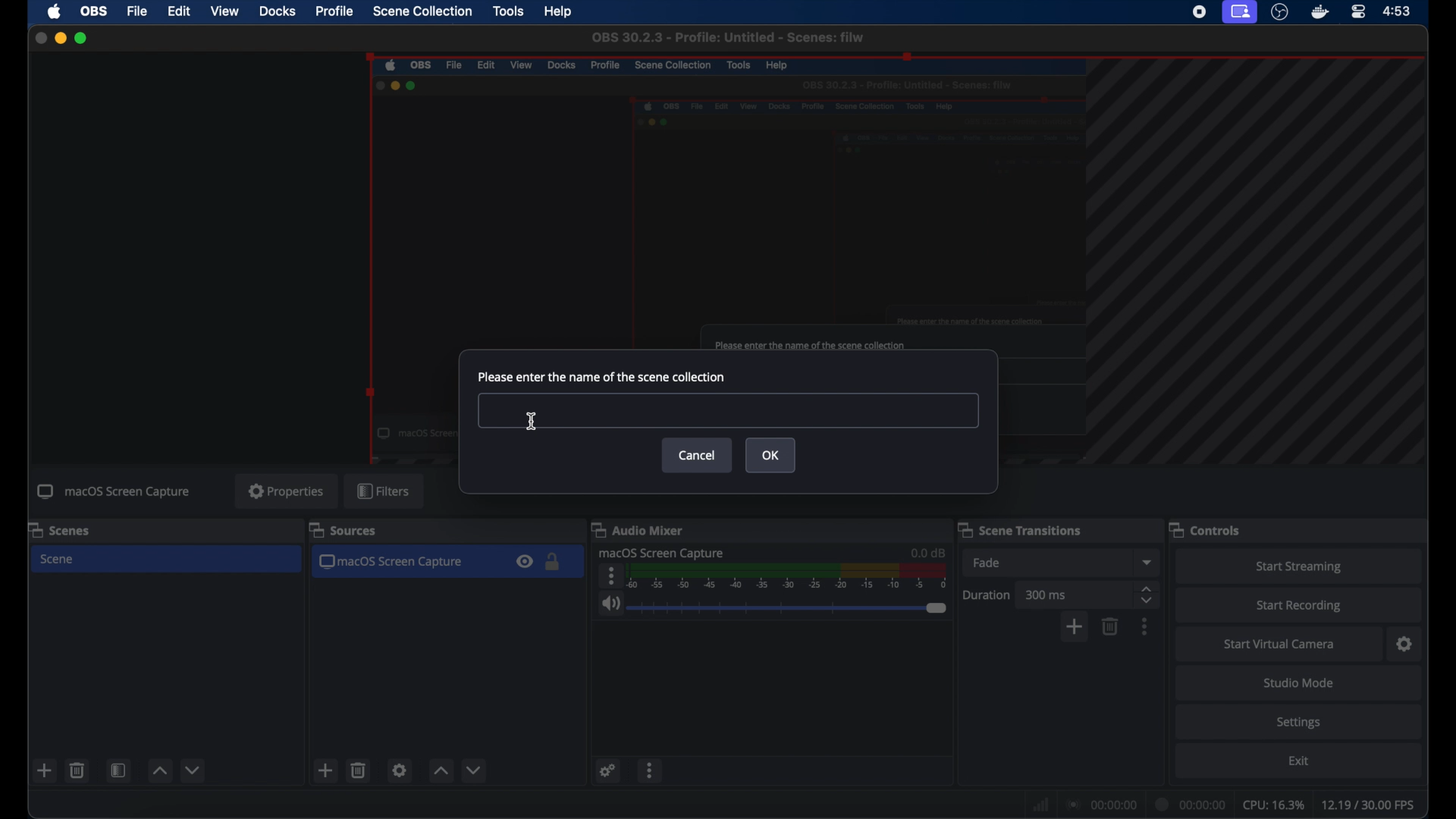 Image resolution: width=1456 pixels, height=819 pixels. I want to click on cancel, so click(698, 455).